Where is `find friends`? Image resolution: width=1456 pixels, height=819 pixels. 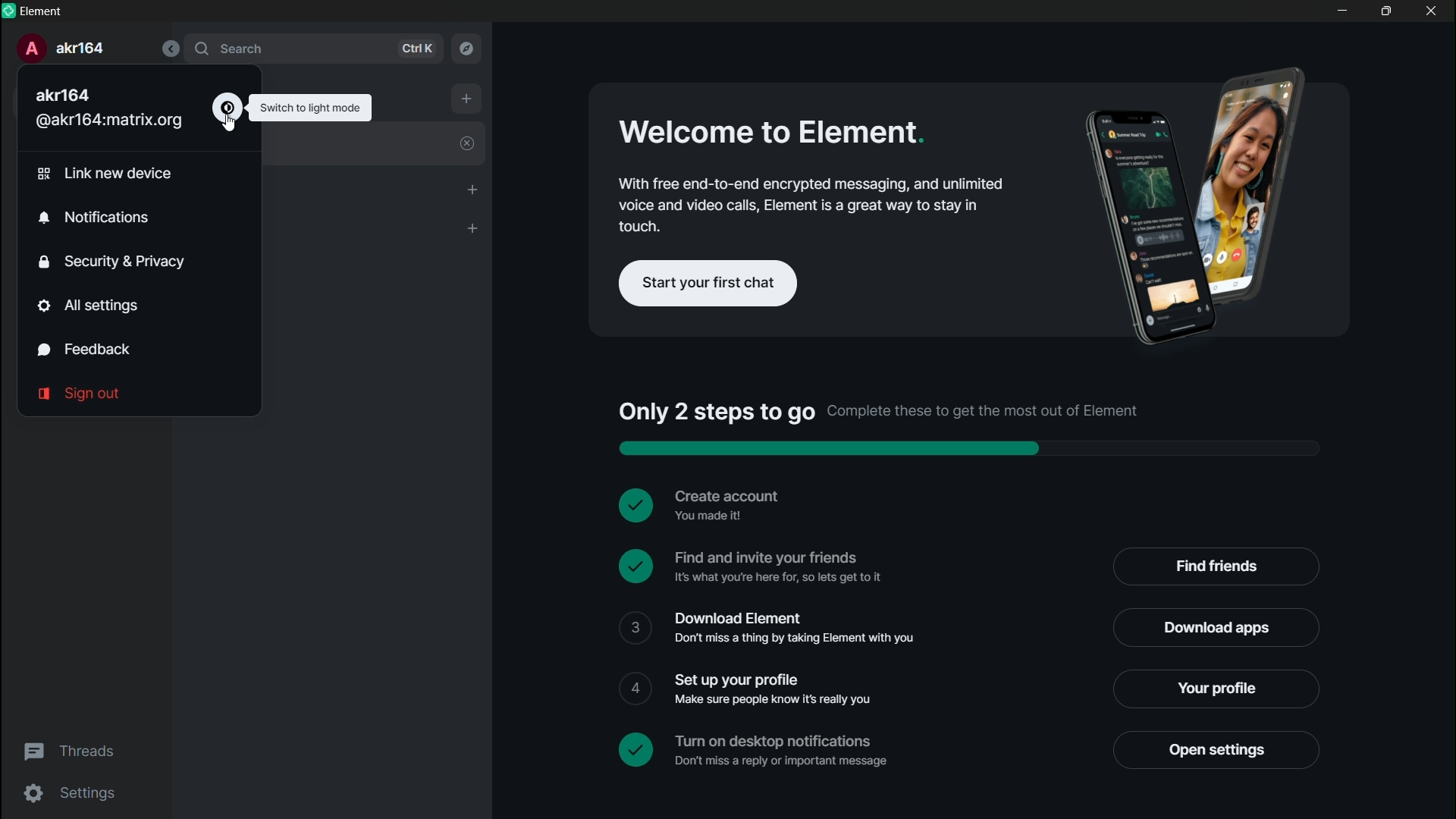
find friends is located at coordinates (1219, 567).